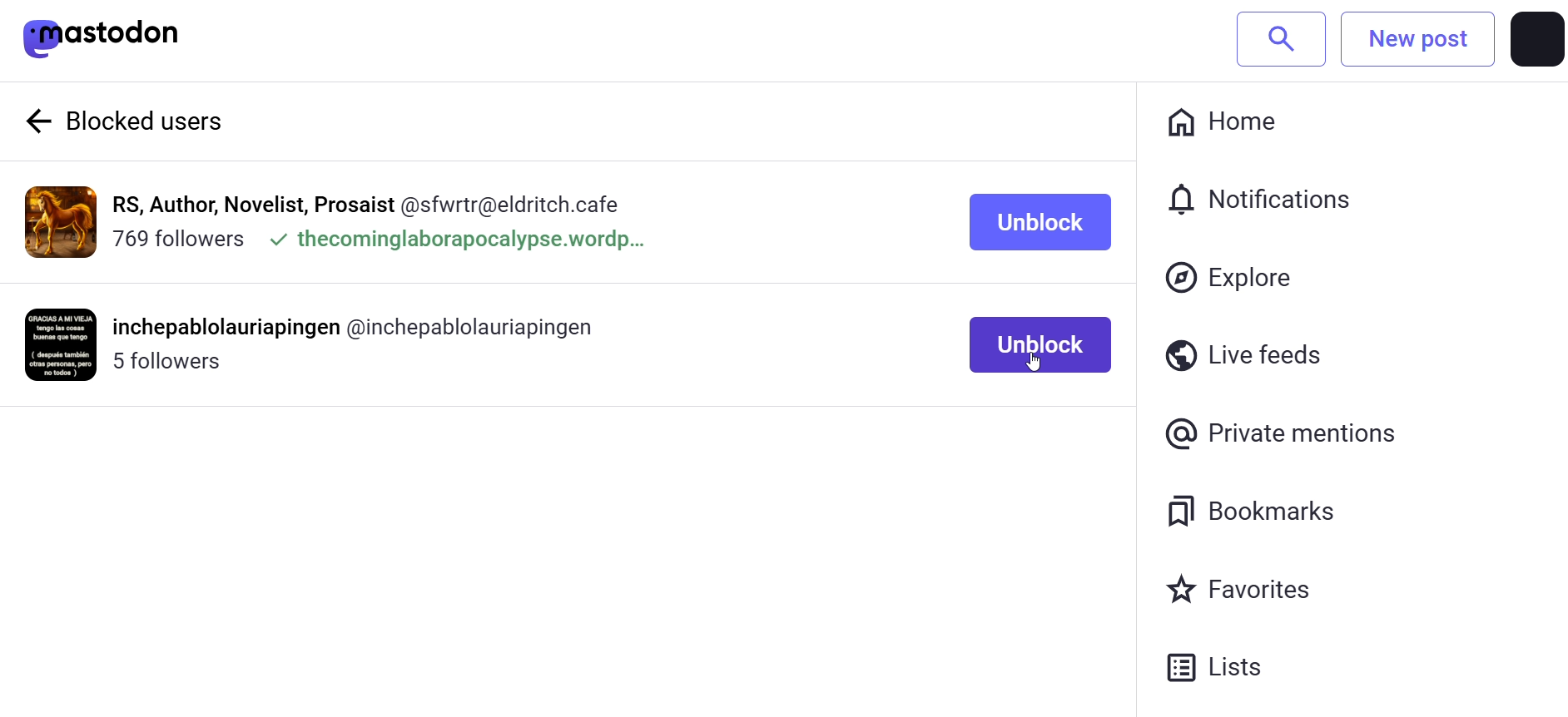  Describe the element at coordinates (1248, 349) in the screenshot. I see `live feeds` at that location.